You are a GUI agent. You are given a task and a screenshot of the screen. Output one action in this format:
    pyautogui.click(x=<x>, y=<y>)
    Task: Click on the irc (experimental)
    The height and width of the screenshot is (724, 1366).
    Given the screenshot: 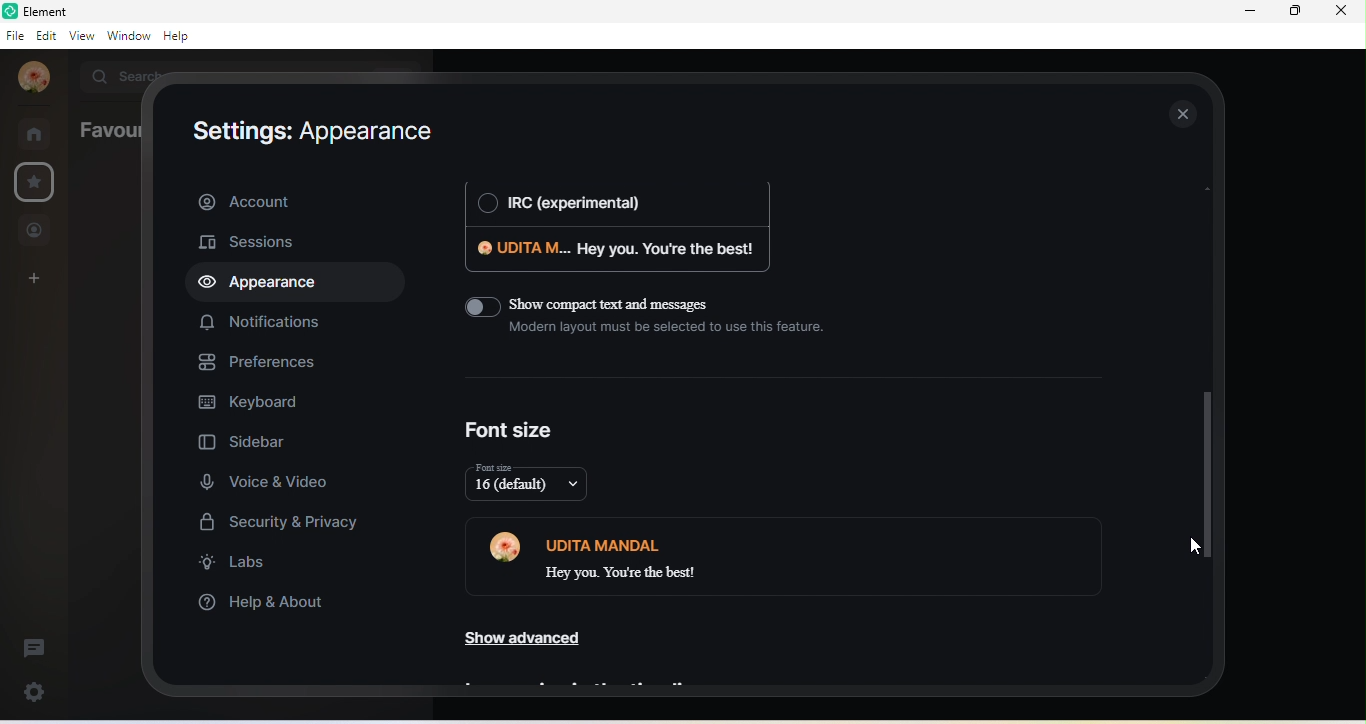 What is the action you would take?
    pyautogui.click(x=613, y=205)
    